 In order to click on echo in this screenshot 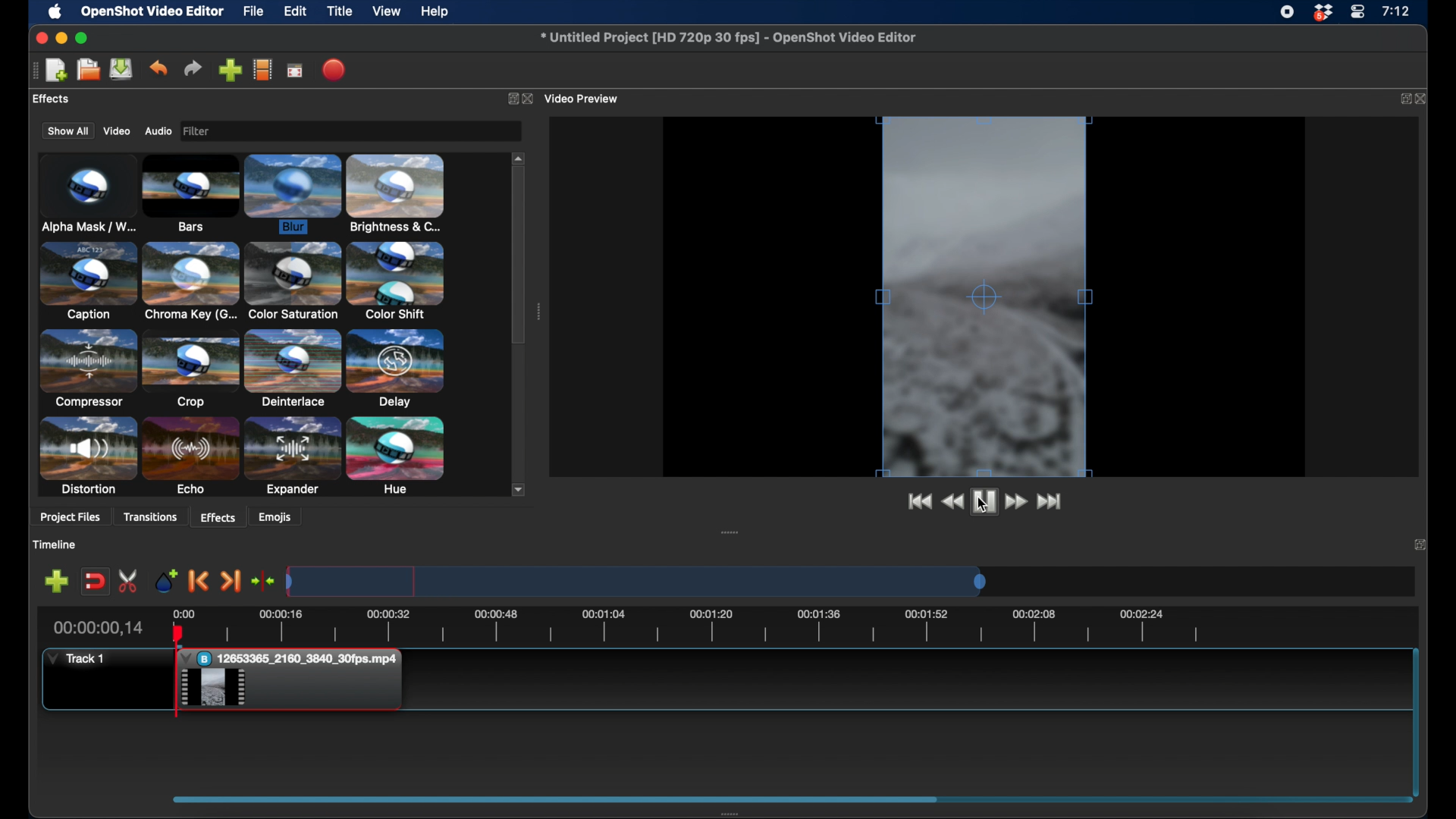, I will do `click(190, 457)`.